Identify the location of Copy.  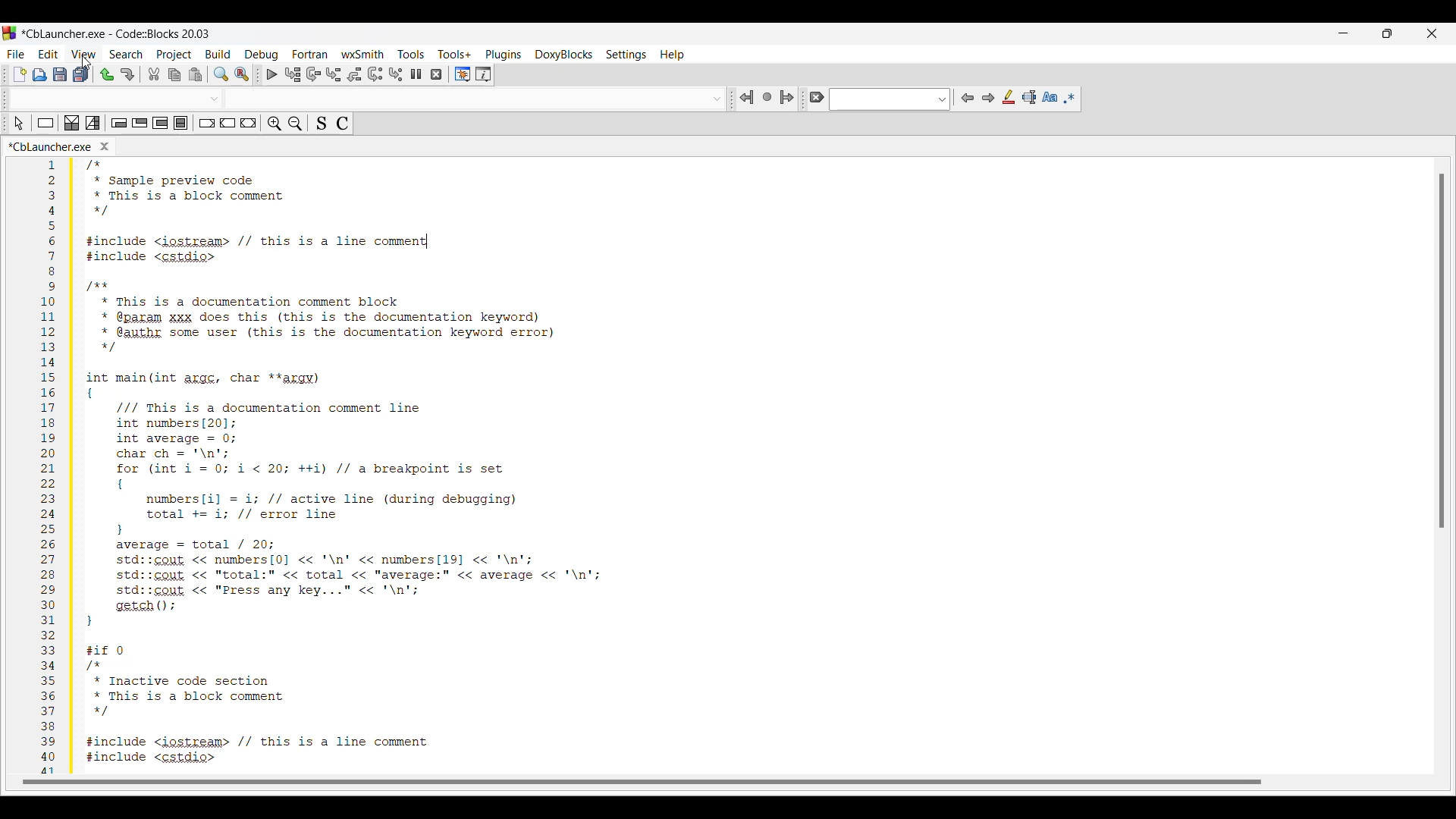
(174, 74).